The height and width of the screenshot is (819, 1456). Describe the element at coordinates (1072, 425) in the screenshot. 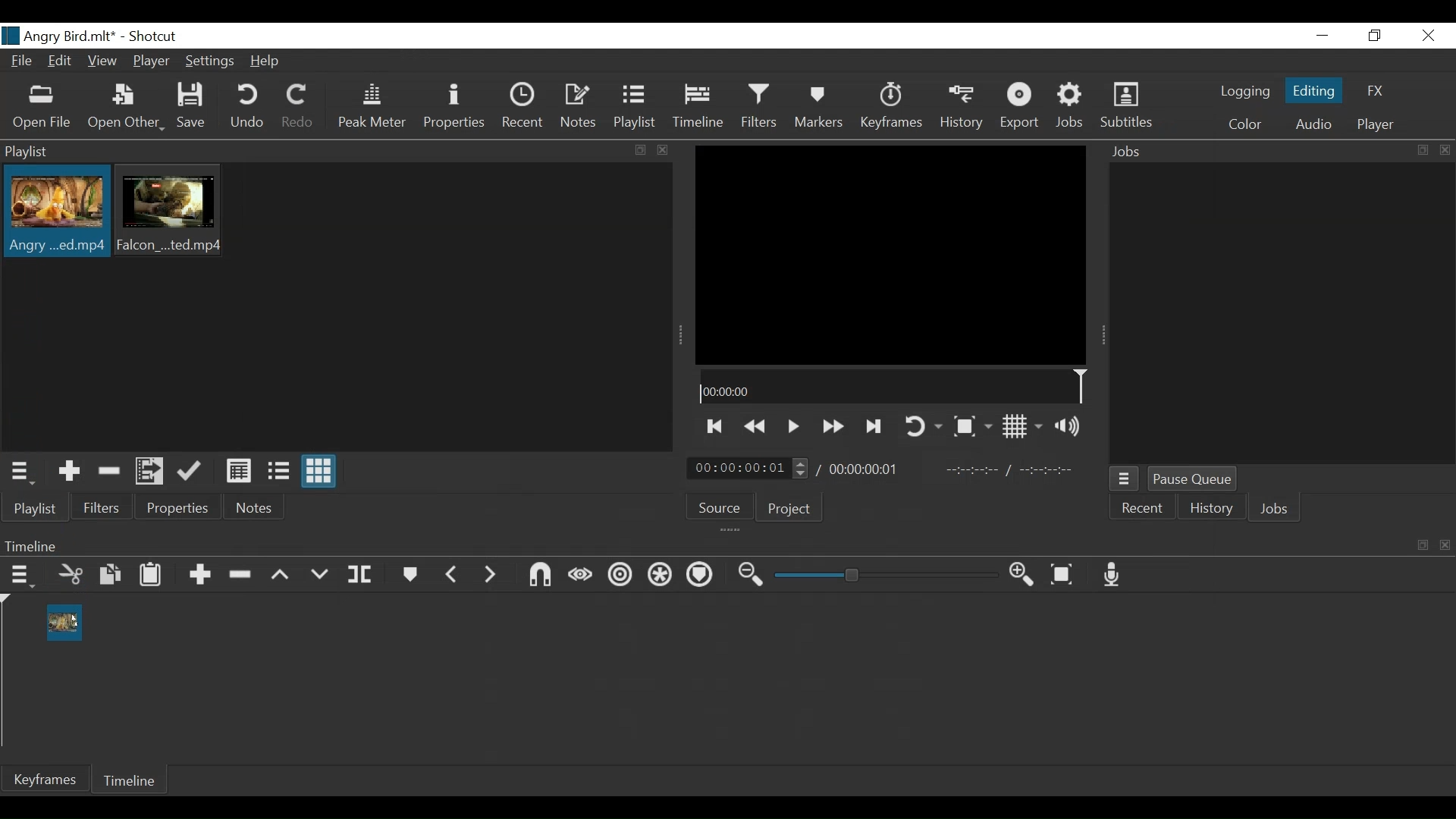

I see `Show volume control` at that location.